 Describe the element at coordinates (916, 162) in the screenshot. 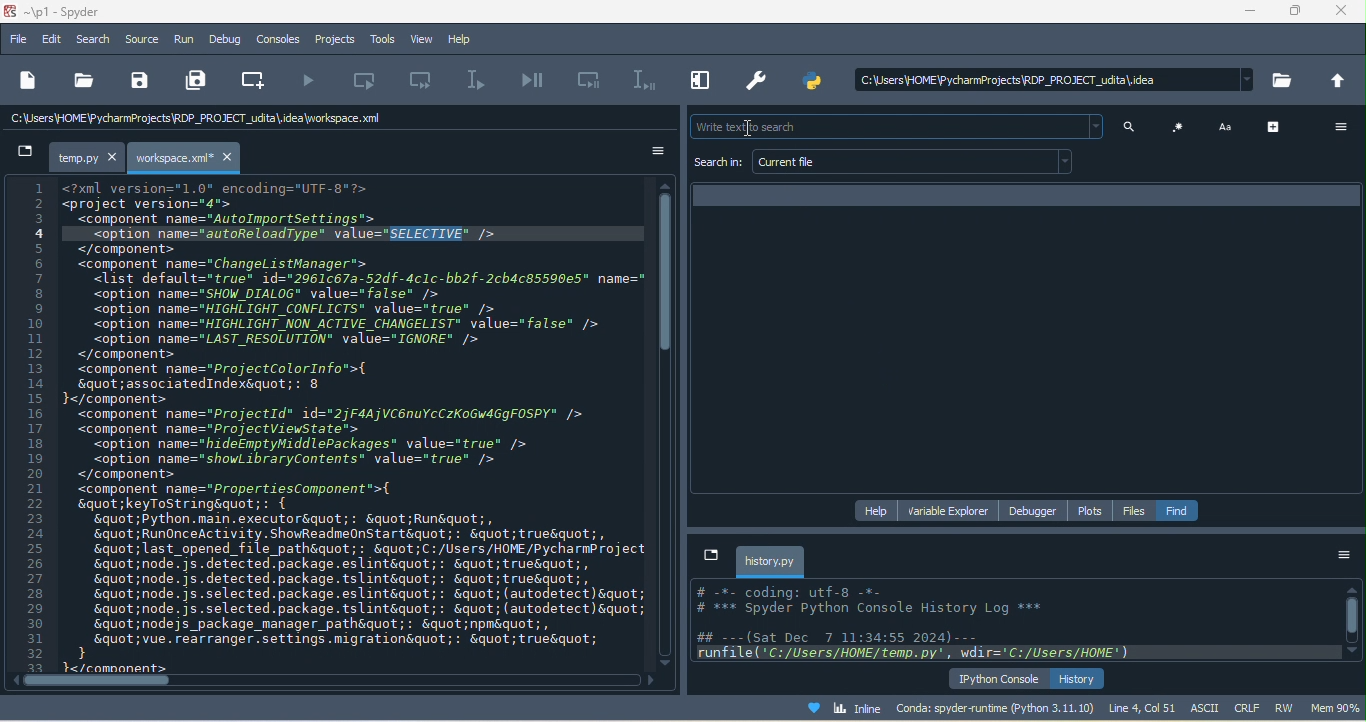

I see `current file` at that location.